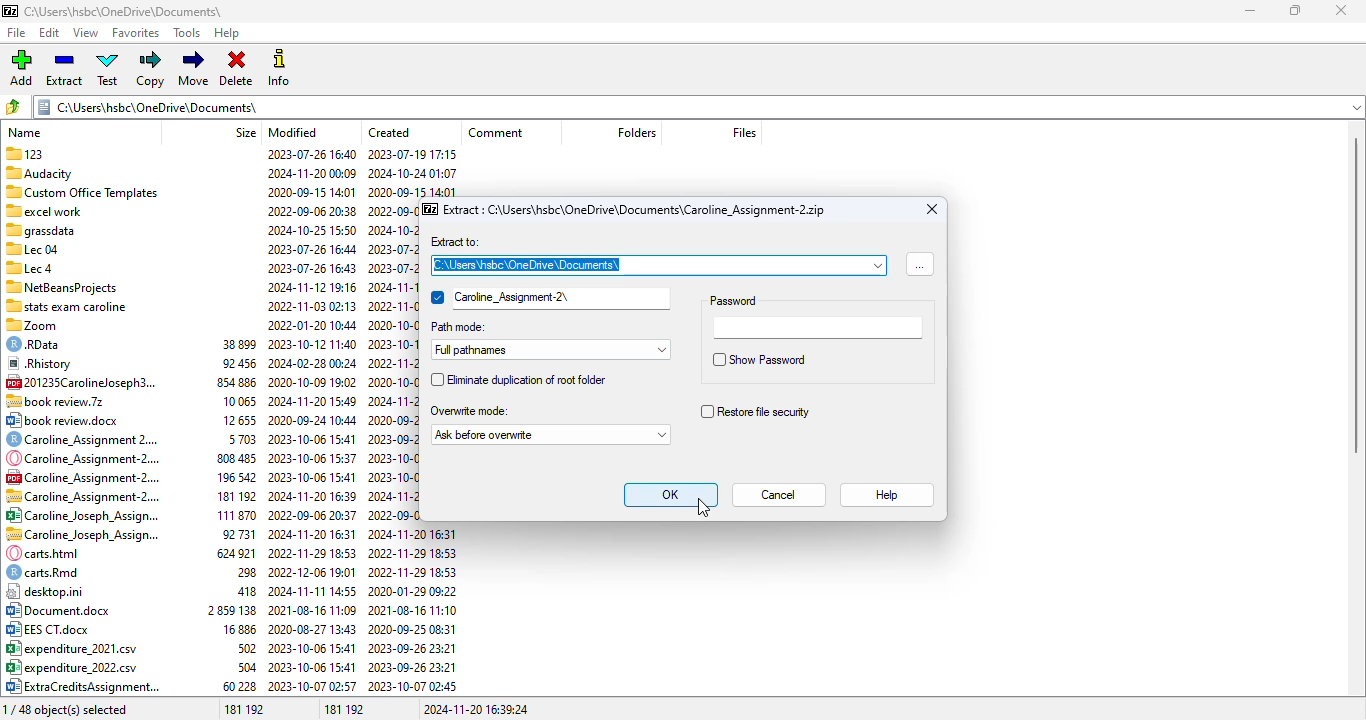 The height and width of the screenshot is (720, 1366). I want to click on .Rhistory 92456 2024-02-28 00:24 2022-11-26 17:25, so click(212, 365).